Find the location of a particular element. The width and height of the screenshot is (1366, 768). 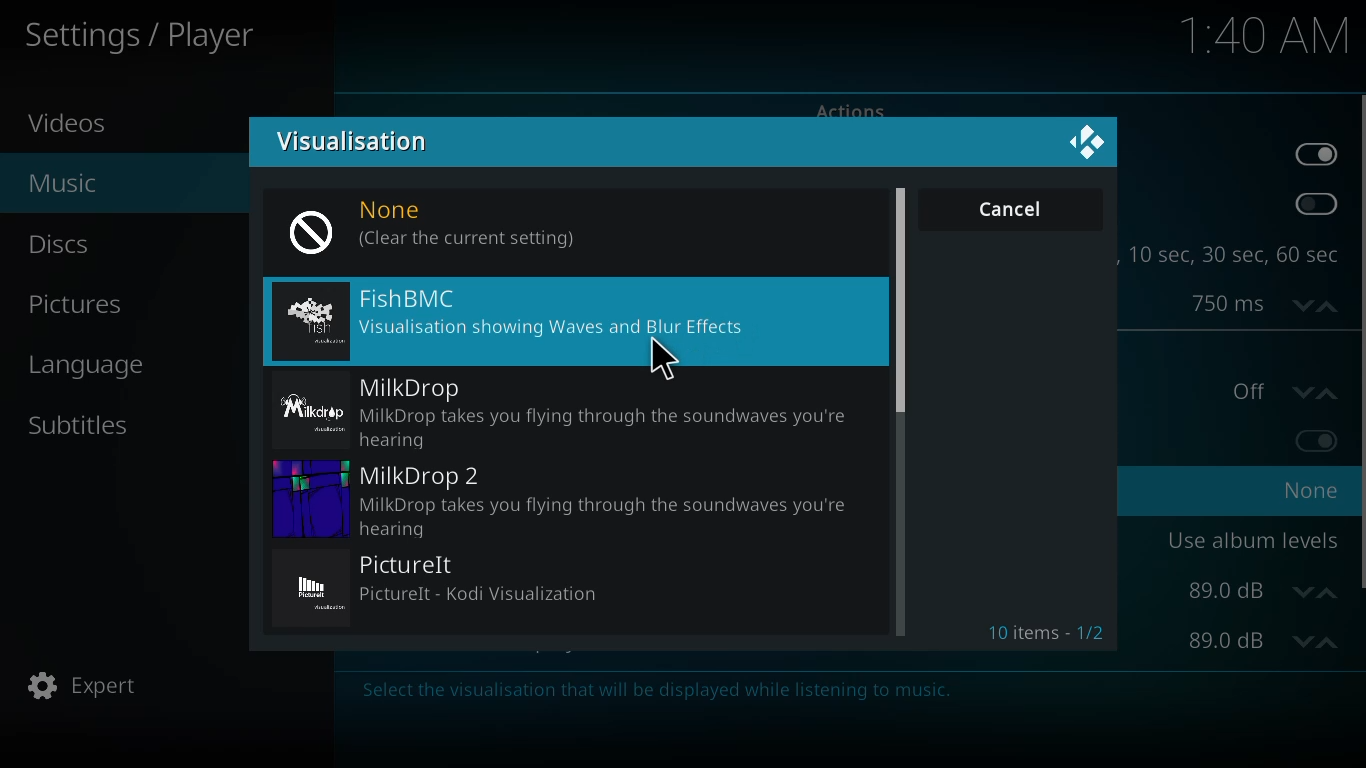

Visualisation is located at coordinates (357, 143).